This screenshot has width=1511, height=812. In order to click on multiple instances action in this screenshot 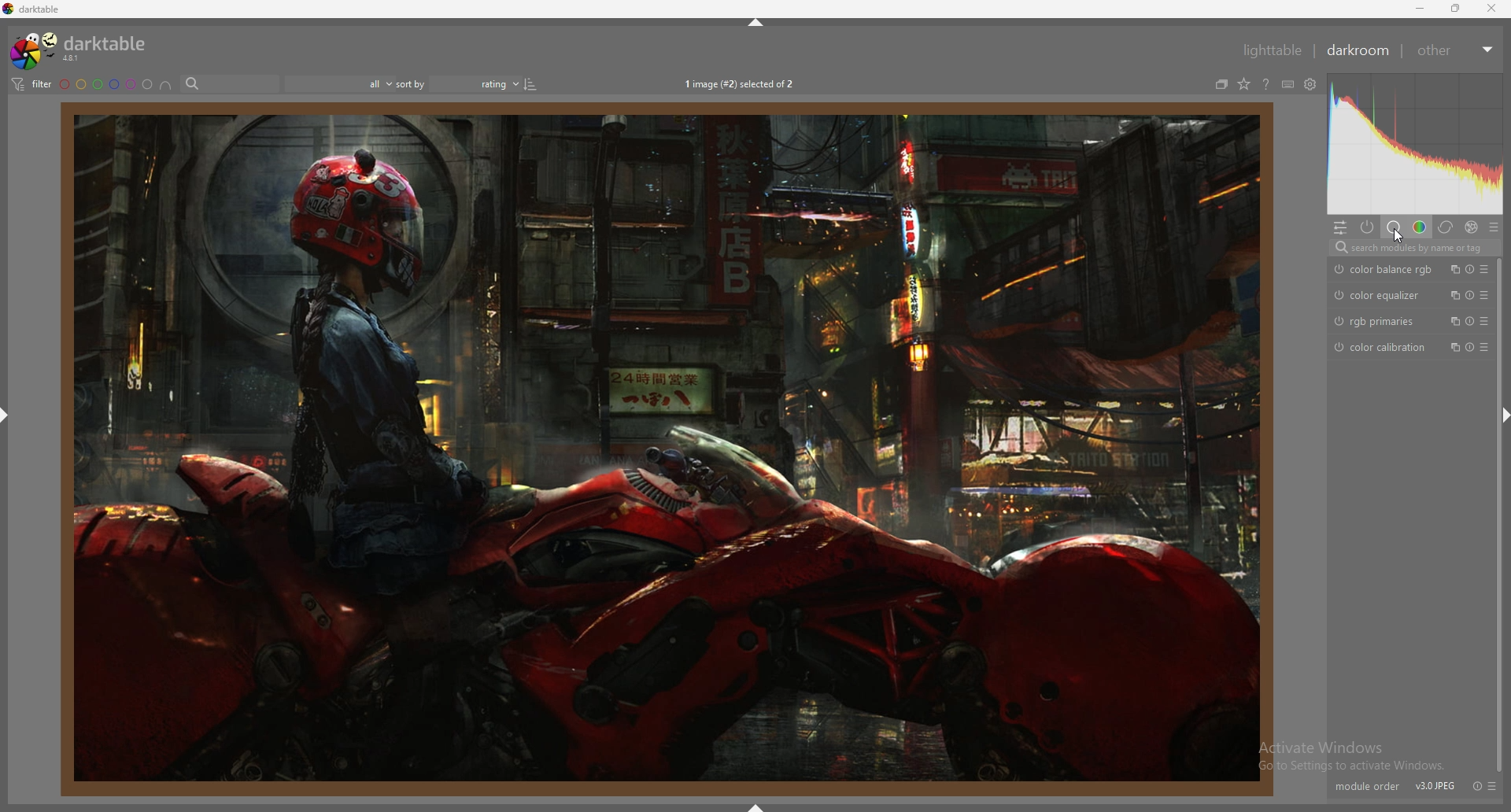, I will do `click(1454, 268)`.